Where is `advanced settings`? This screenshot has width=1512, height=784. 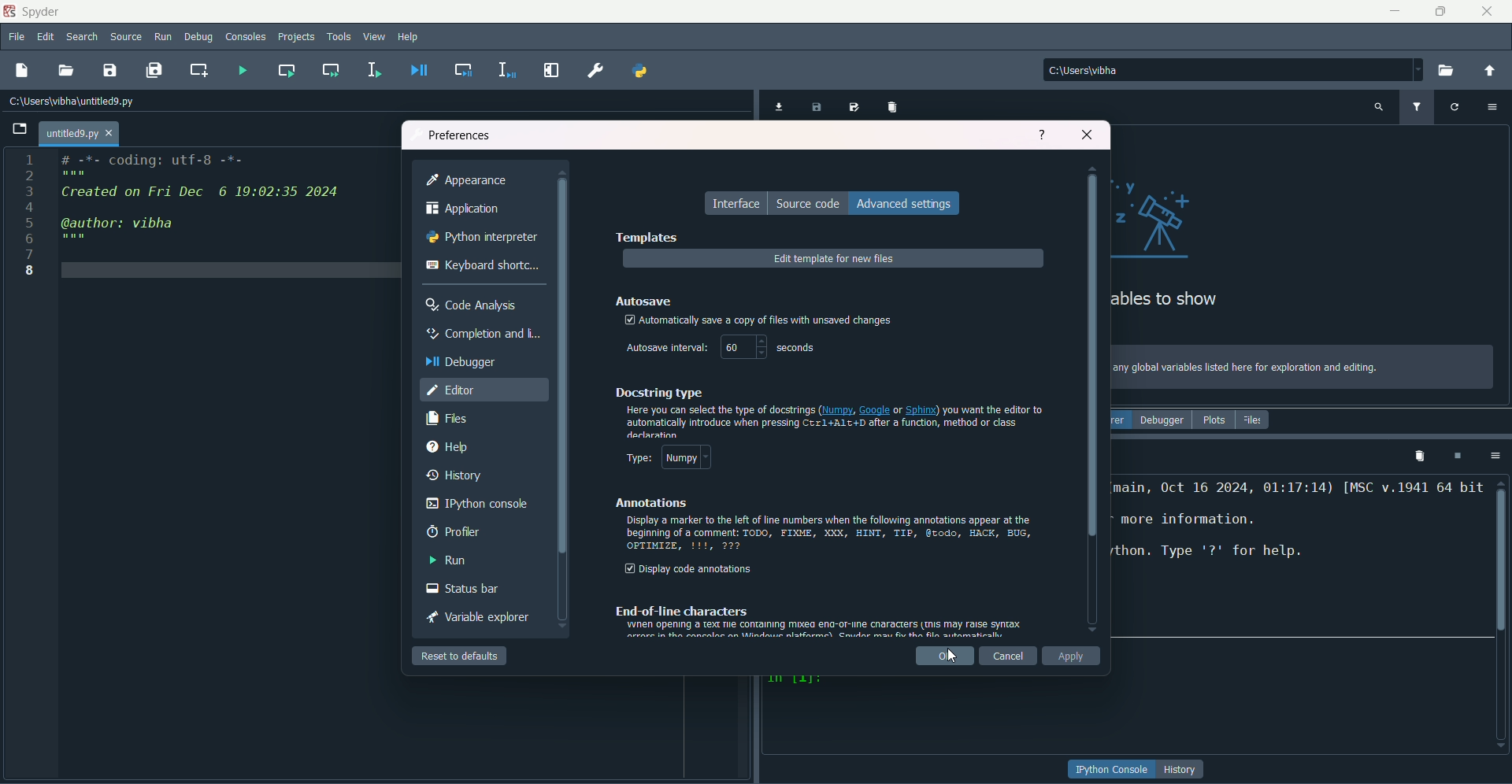 advanced settings is located at coordinates (905, 203).